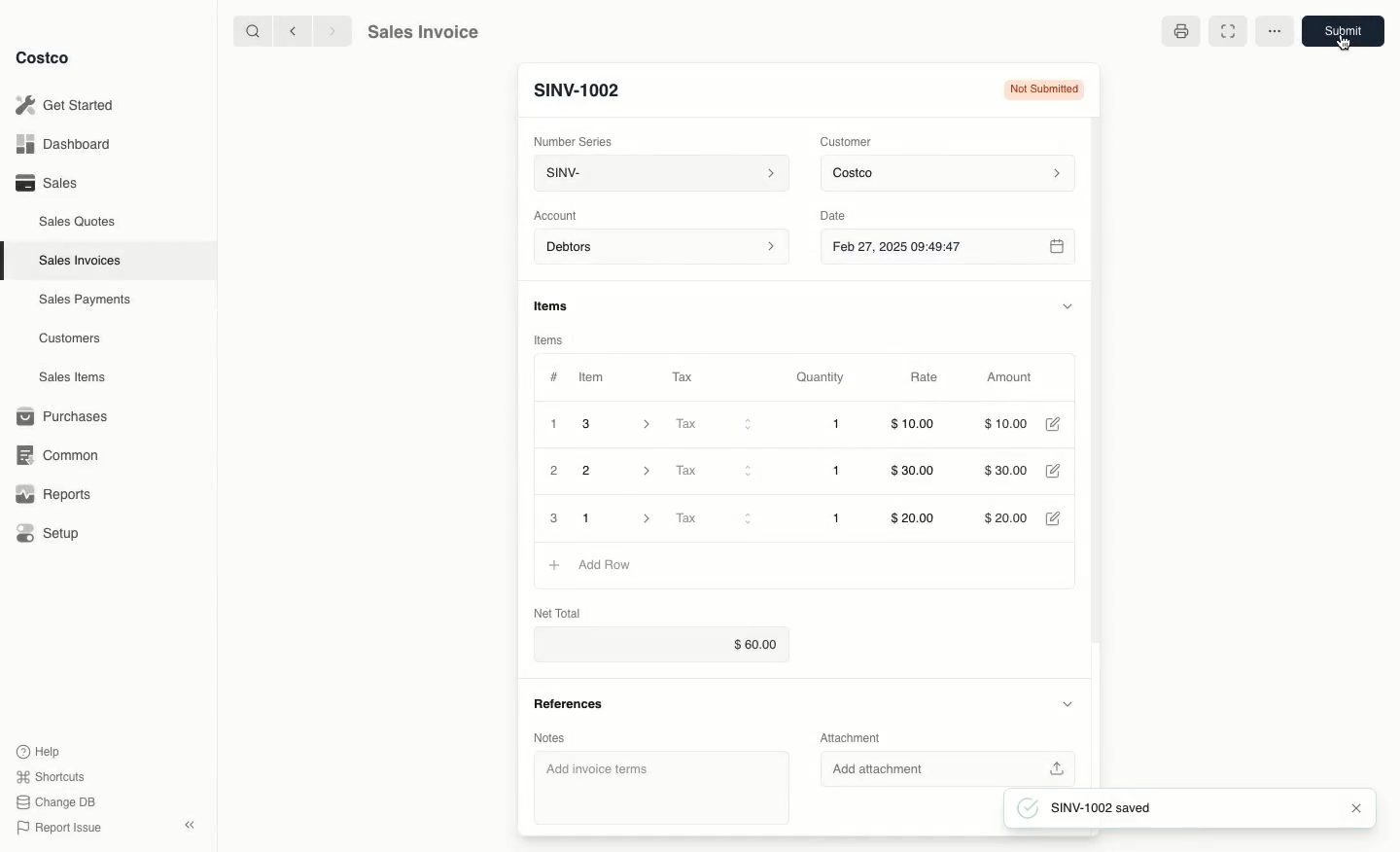  I want to click on Purchases, so click(63, 416).